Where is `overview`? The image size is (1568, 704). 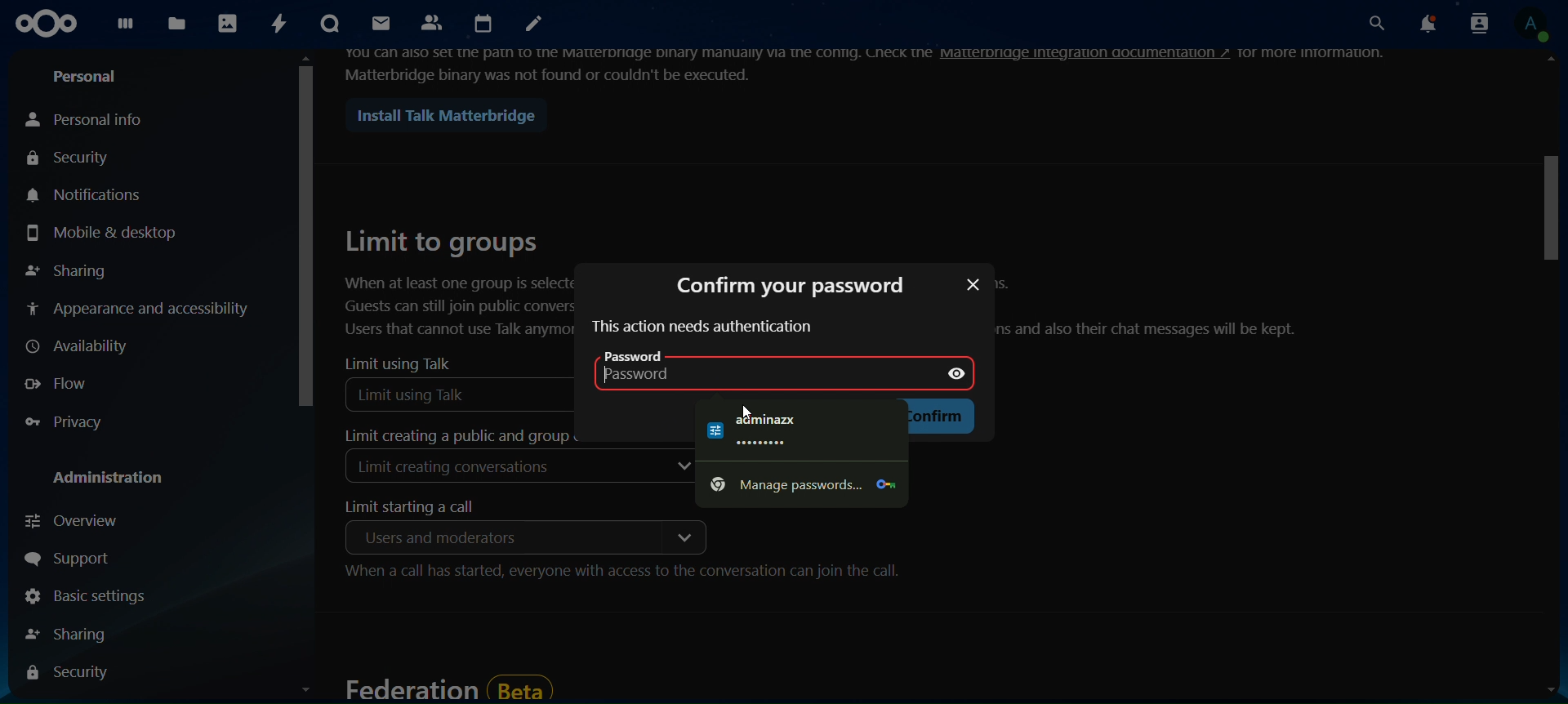
overview is located at coordinates (77, 520).